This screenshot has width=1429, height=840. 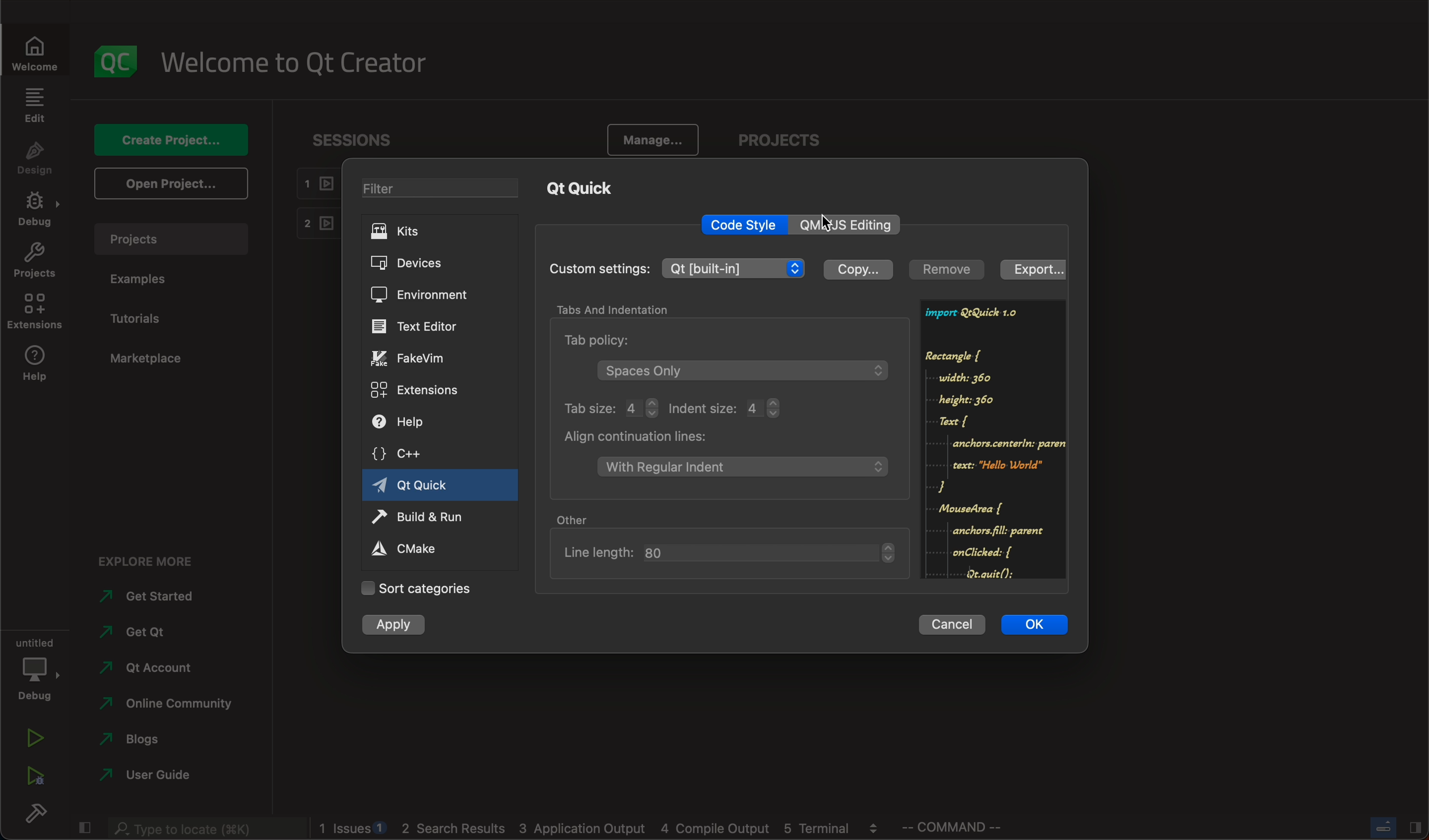 I want to click on projects, so click(x=35, y=261).